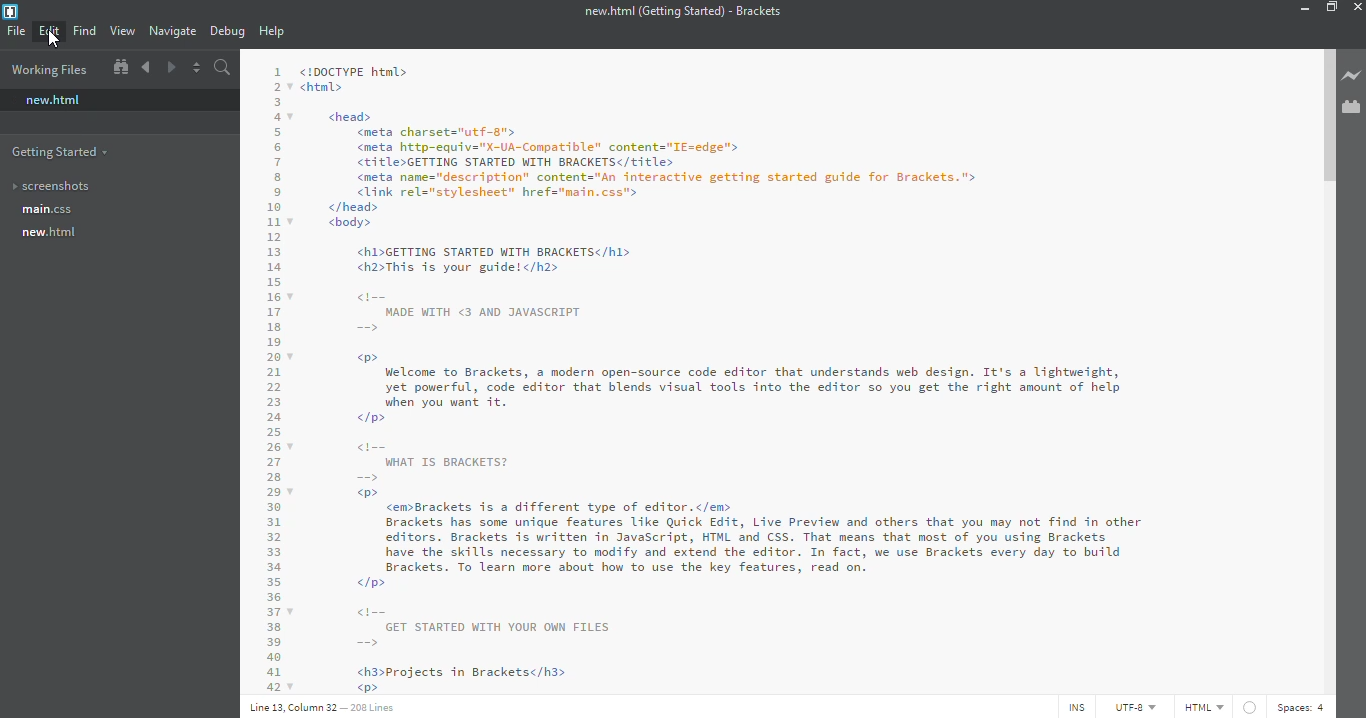 This screenshot has height=718, width=1366. I want to click on linter, so click(1249, 707).